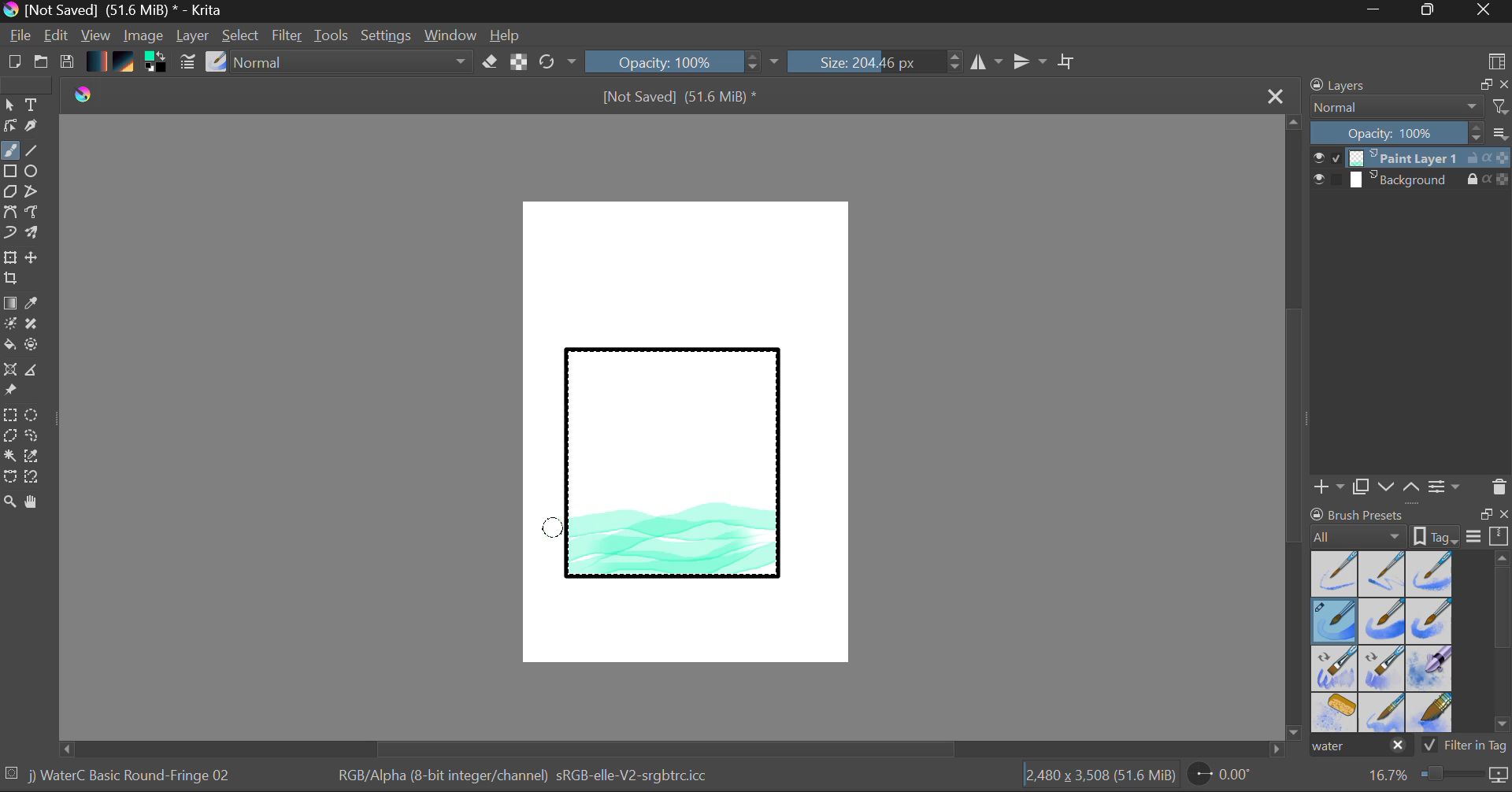 The image size is (1512, 792). What do you see at coordinates (876, 61) in the screenshot?
I see `Brush Size` at bounding box center [876, 61].